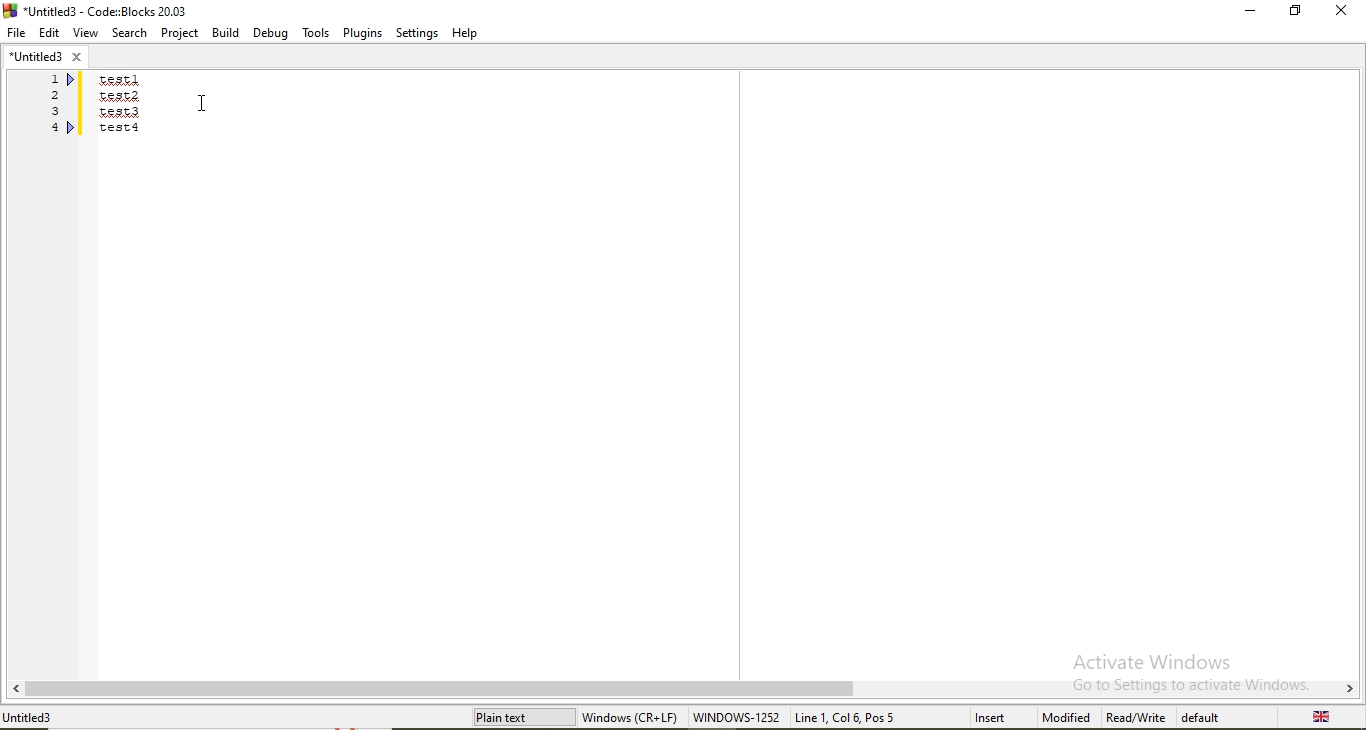 This screenshot has width=1366, height=730. Describe the element at coordinates (271, 32) in the screenshot. I see `Debug ` at that location.